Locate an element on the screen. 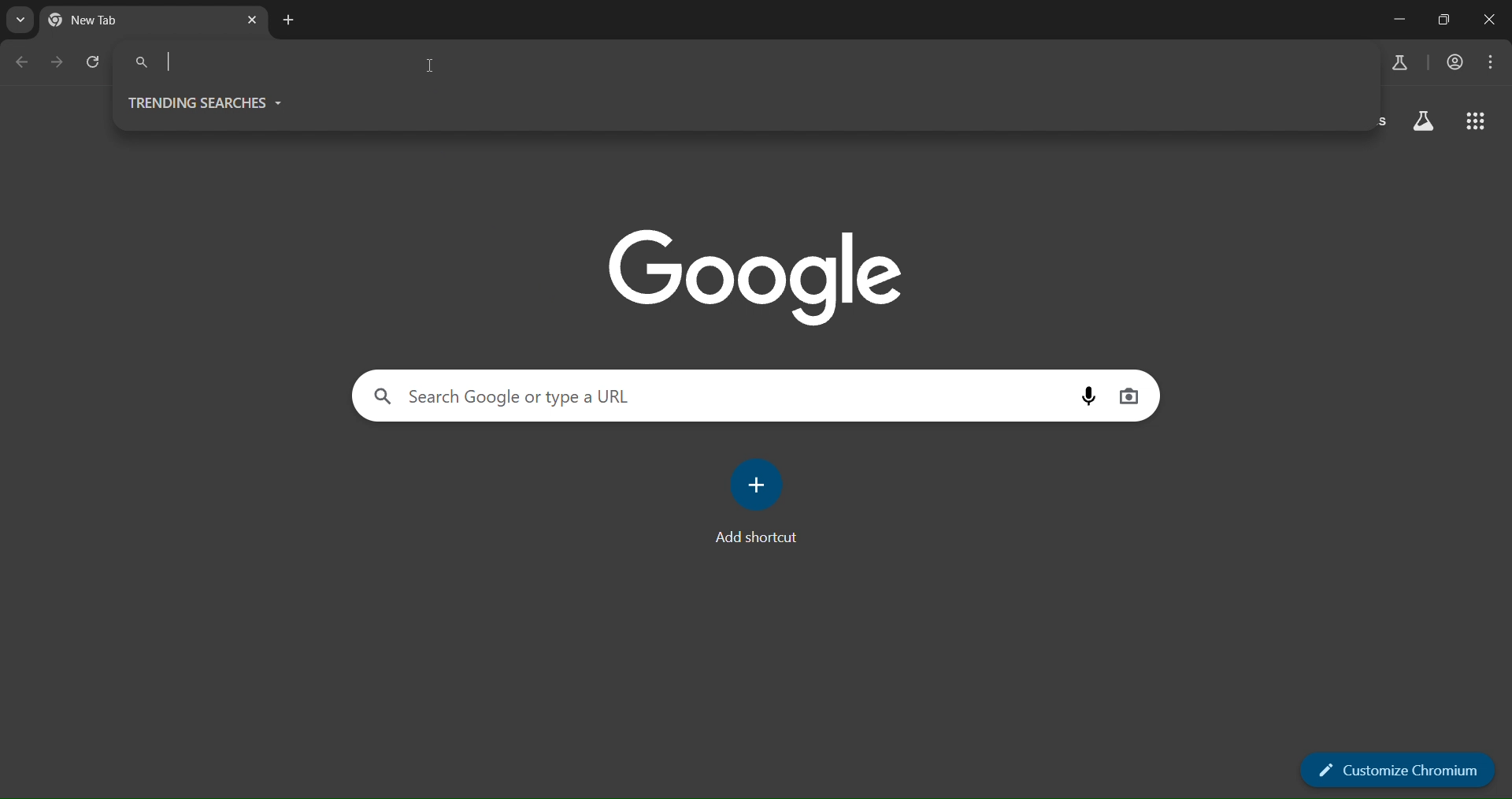 The height and width of the screenshot is (799, 1512). google apps is located at coordinates (1475, 121).